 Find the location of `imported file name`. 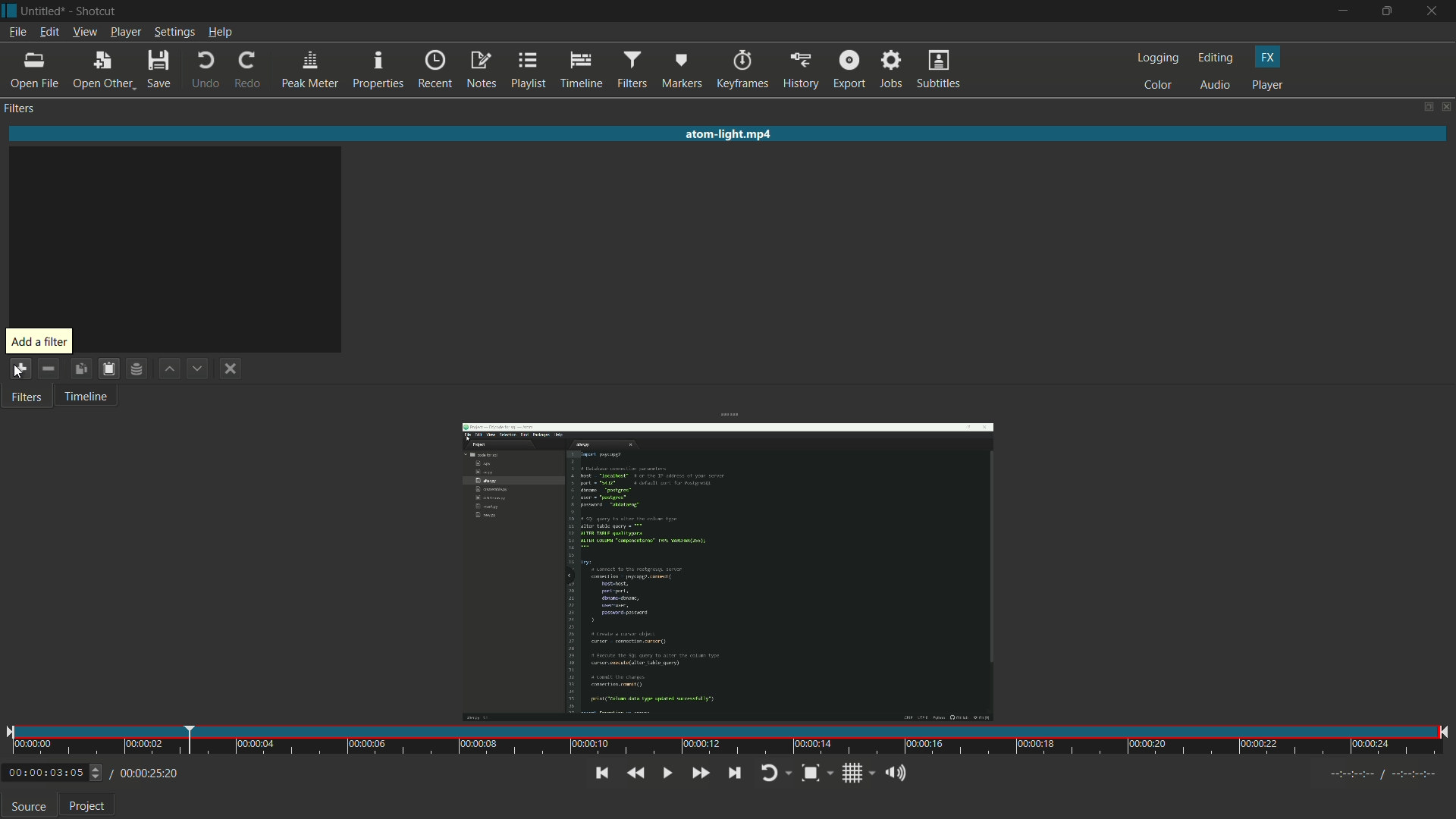

imported file name is located at coordinates (730, 136).